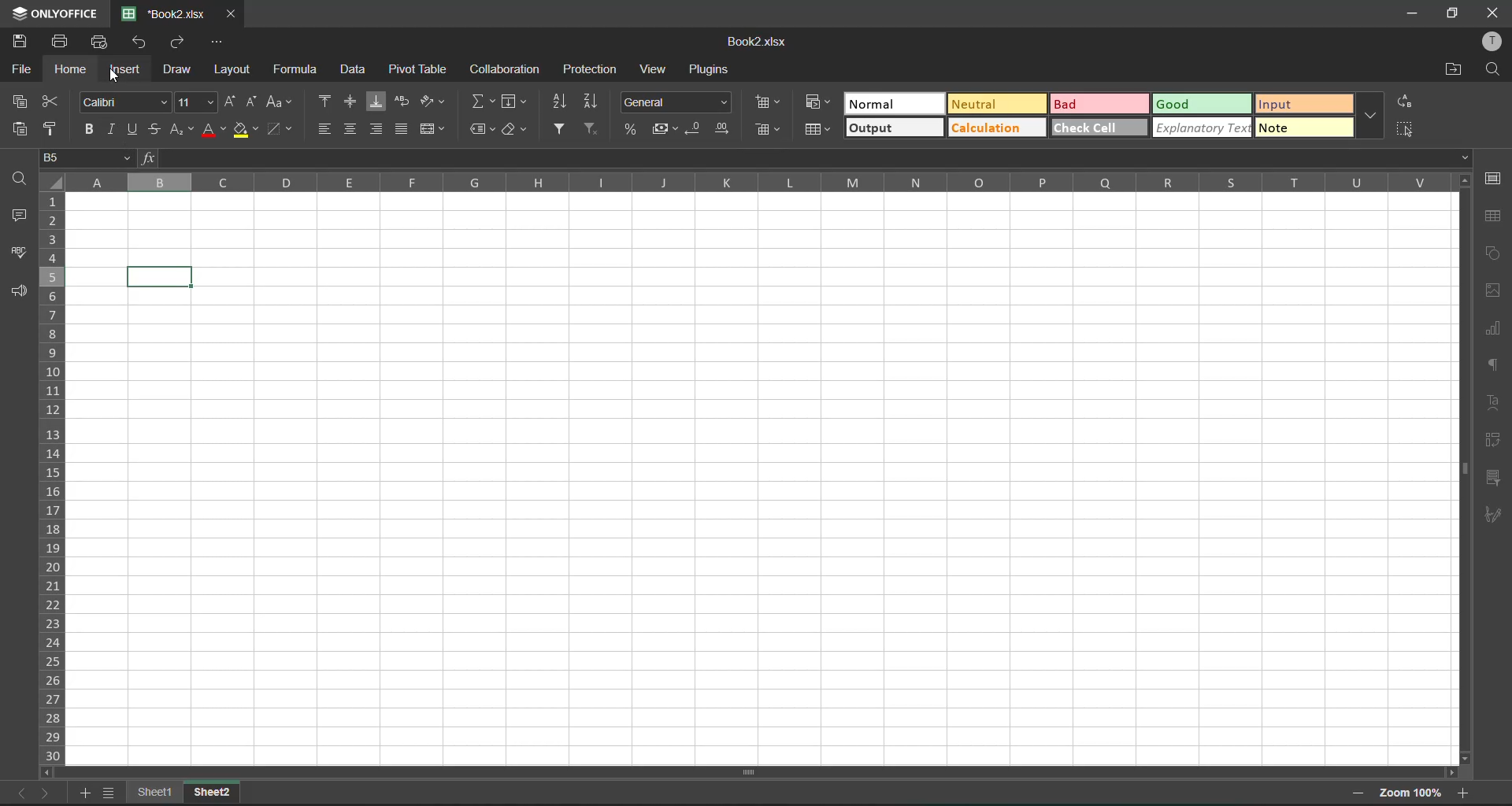 This screenshot has width=1512, height=806. I want to click on undo, so click(142, 43).